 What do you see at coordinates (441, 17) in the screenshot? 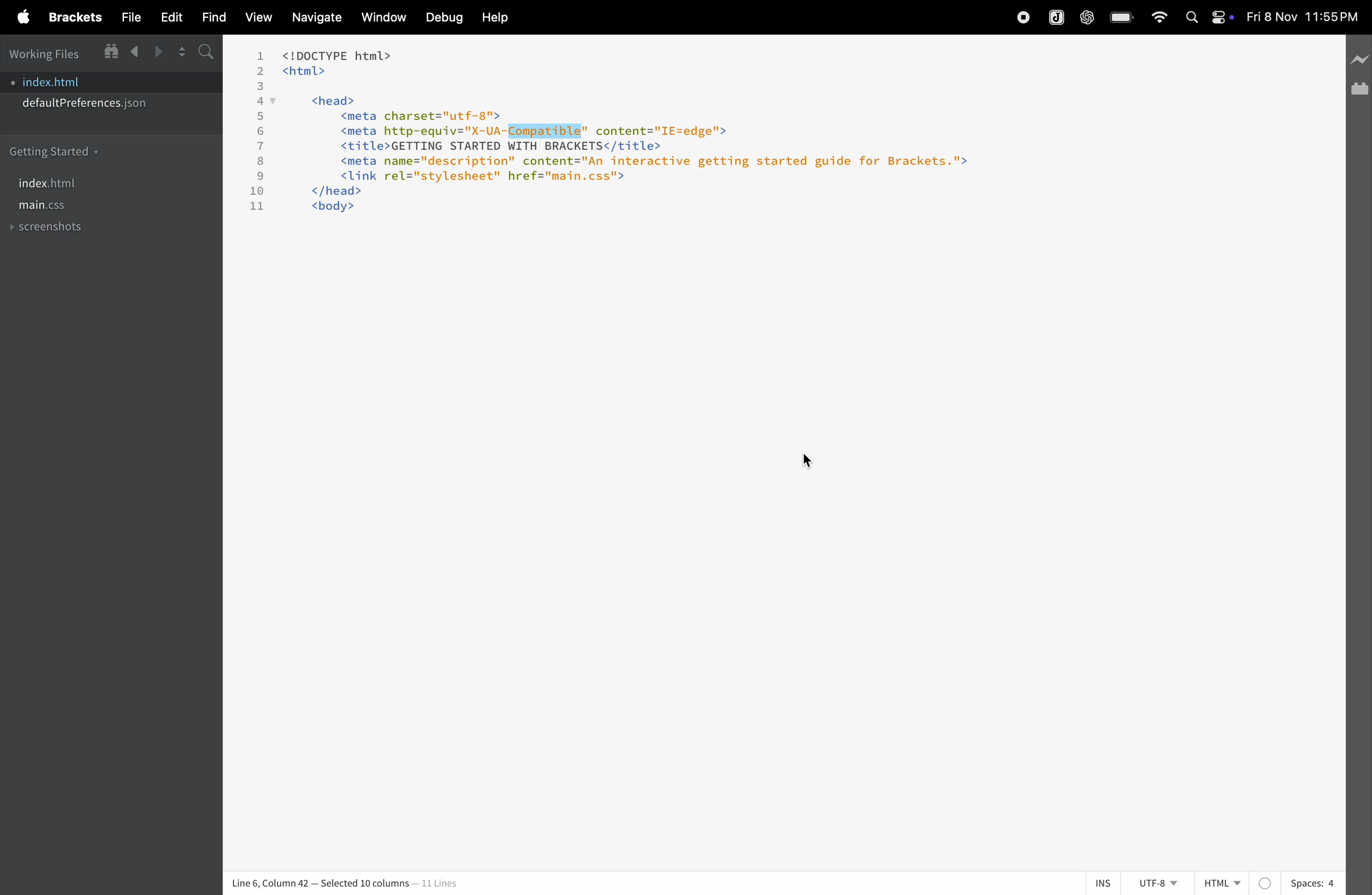
I see `debug` at bounding box center [441, 17].